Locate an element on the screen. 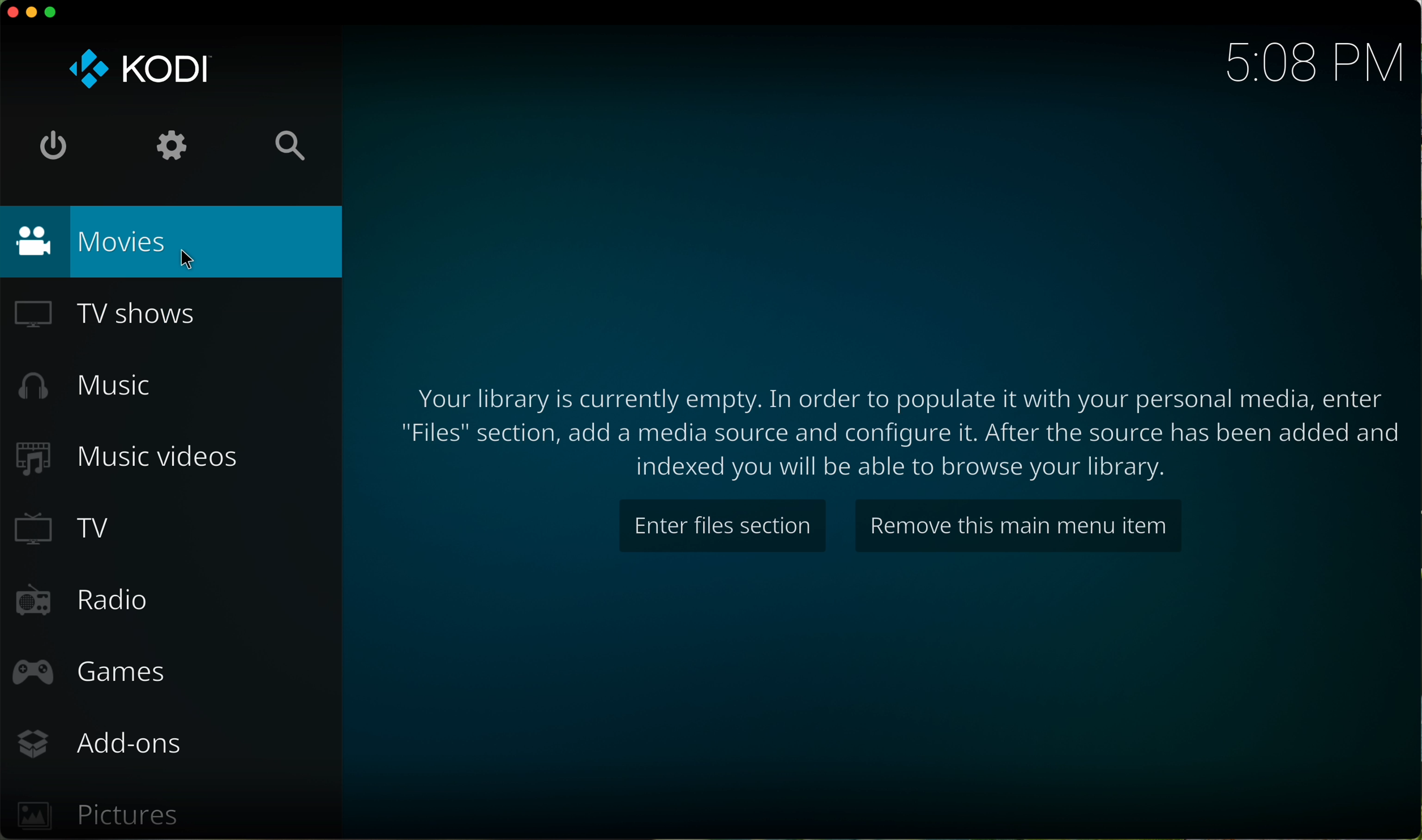 The height and width of the screenshot is (840, 1422). shut down is located at coordinates (52, 142).